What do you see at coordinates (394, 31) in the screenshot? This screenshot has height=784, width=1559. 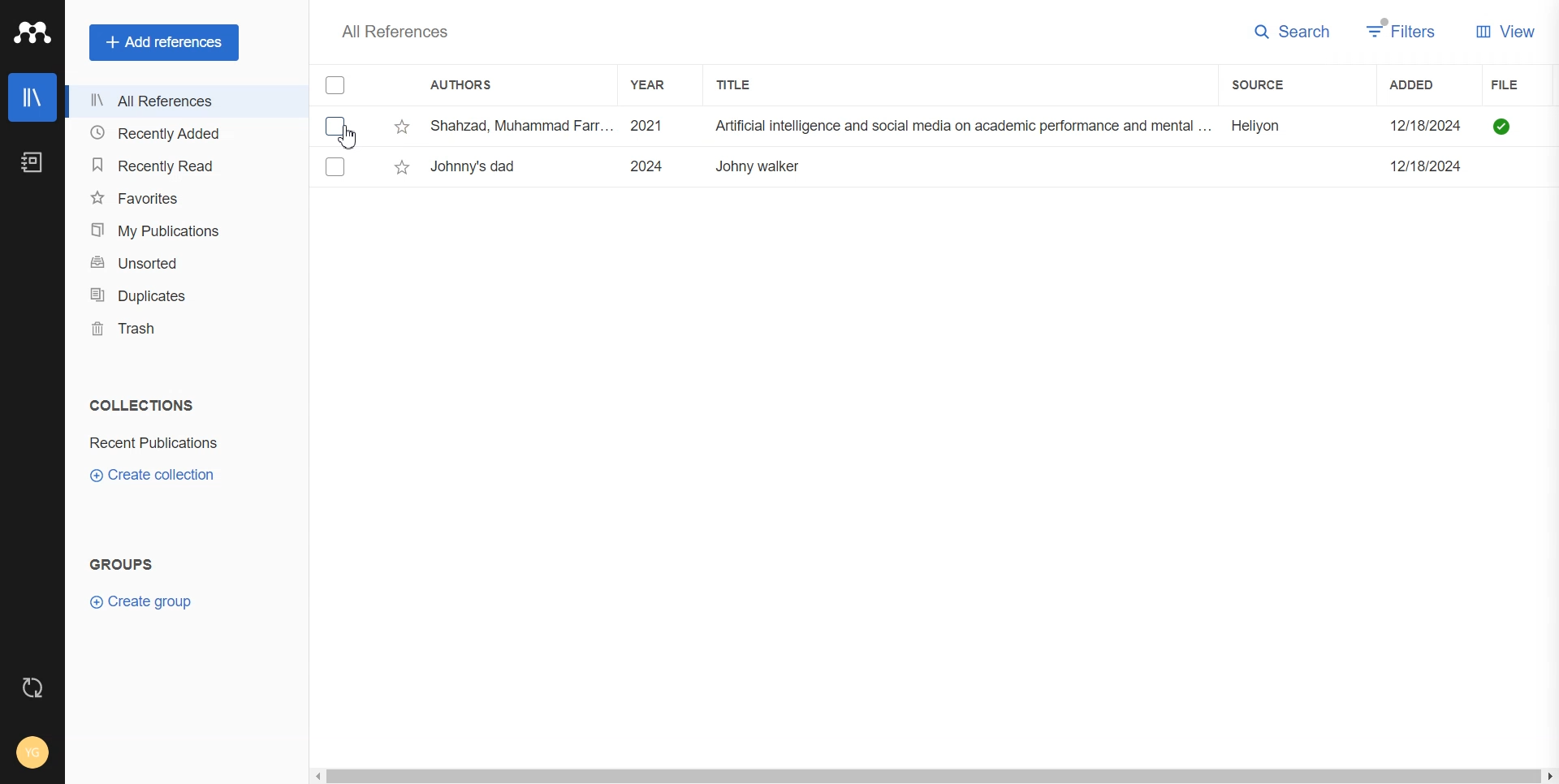 I see `Text` at bounding box center [394, 31].